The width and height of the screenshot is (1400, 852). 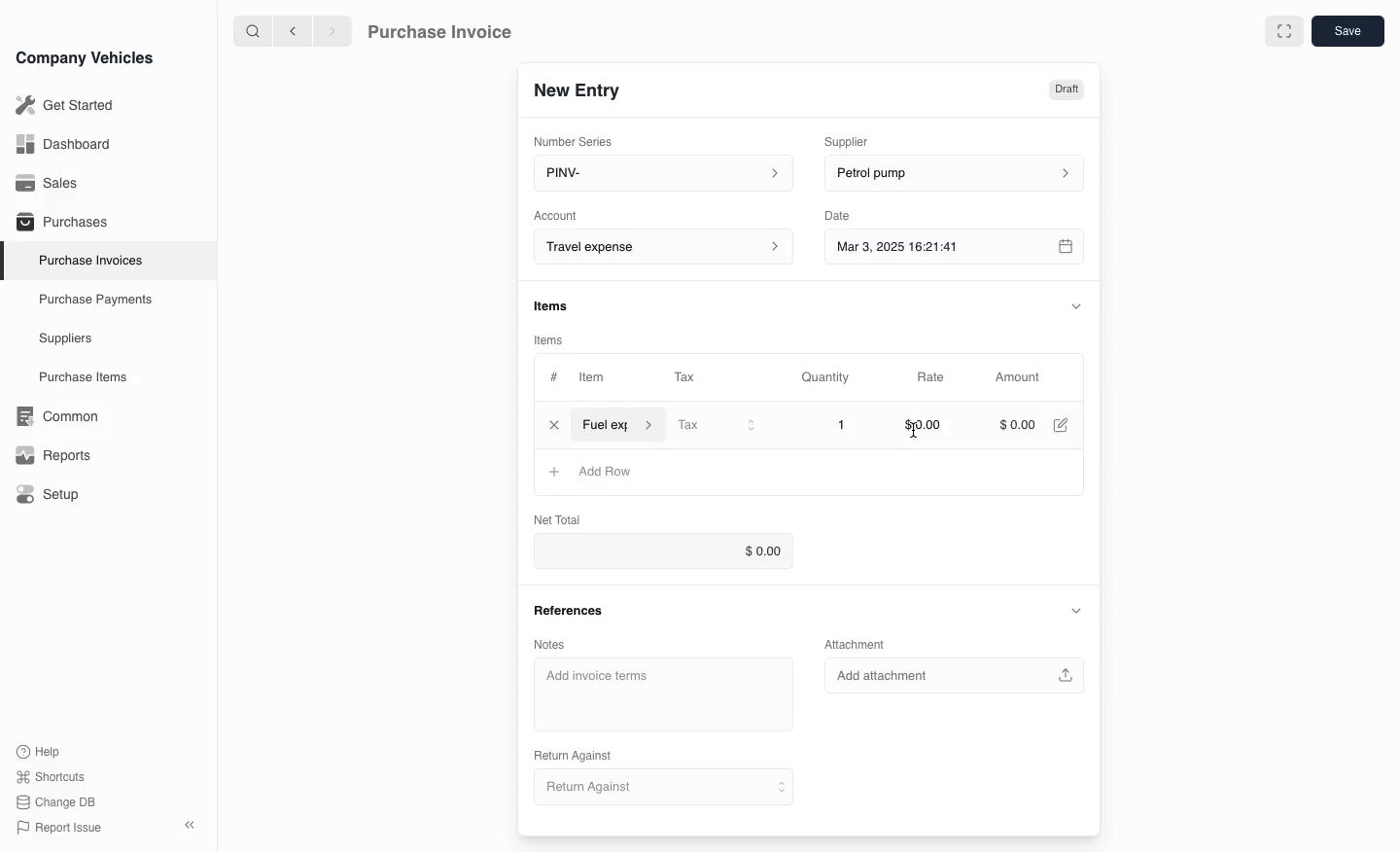 What do you see at coordinates (859, 139) in the screenshot?
I see `Supplier` at bounding box center [859, 139].